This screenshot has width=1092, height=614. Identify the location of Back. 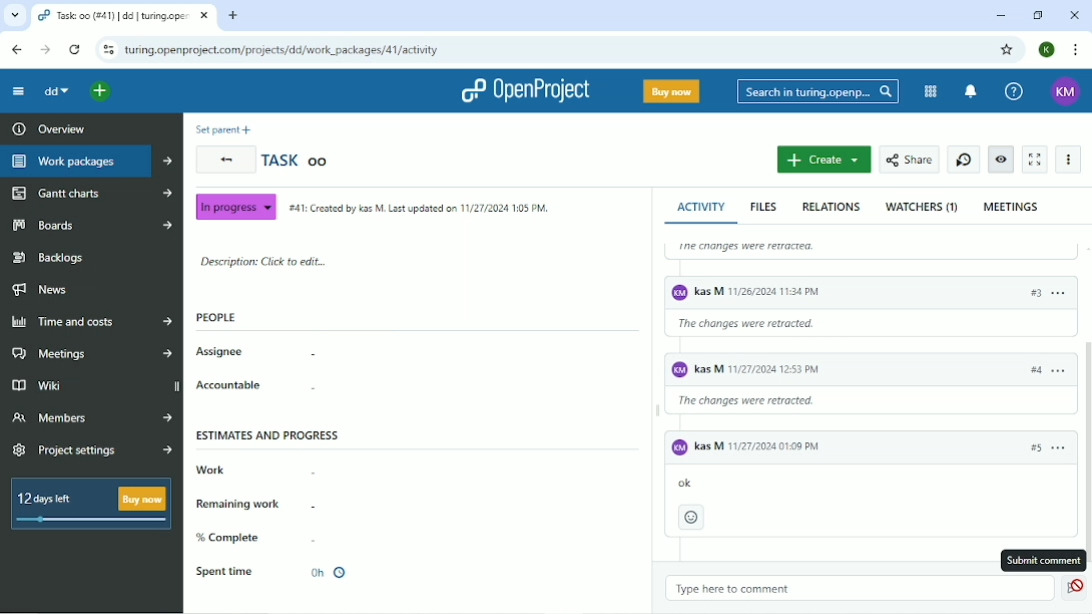
(226, 160).